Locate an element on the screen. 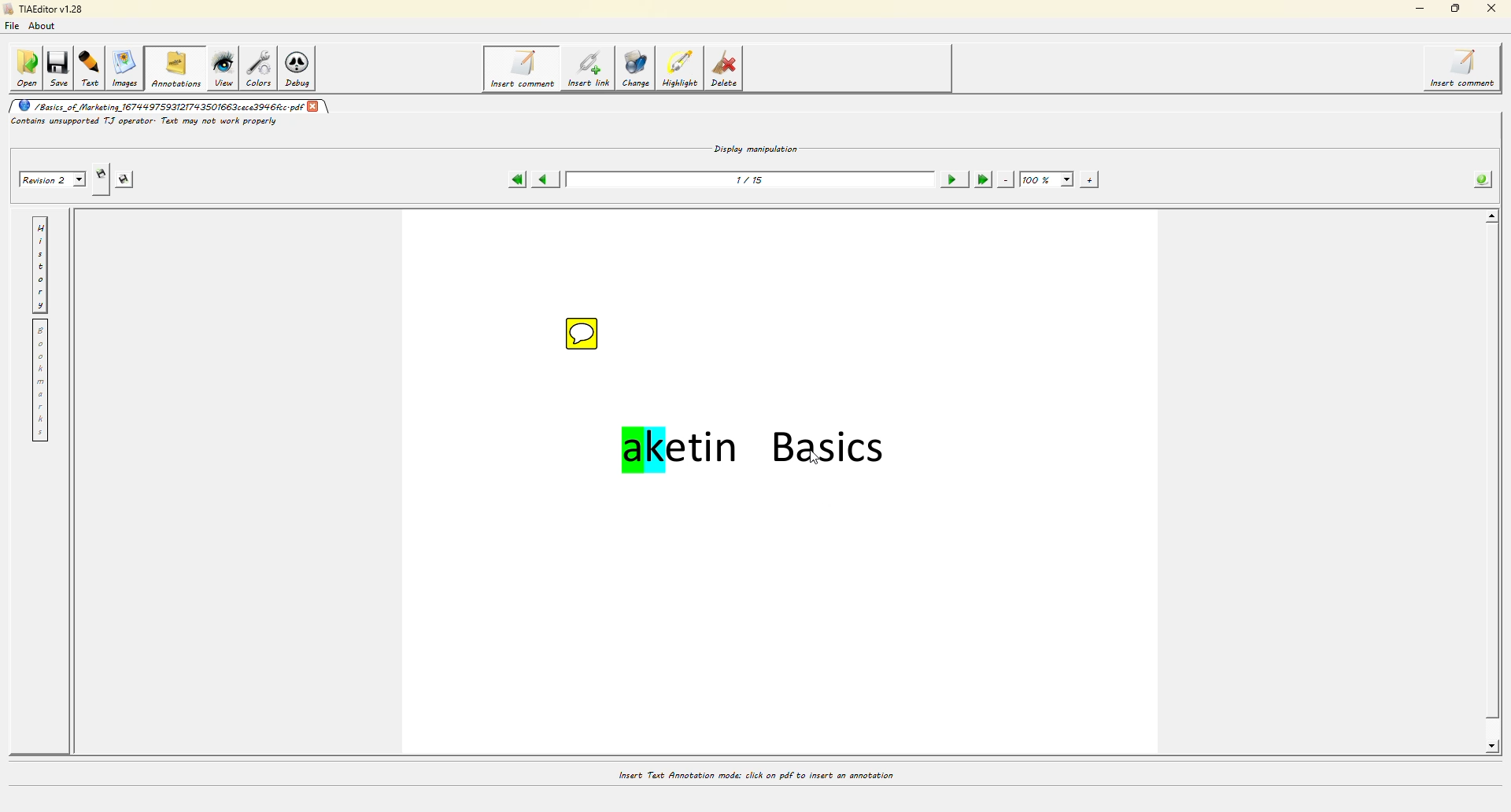  close is located at coordinates (1490, 9).